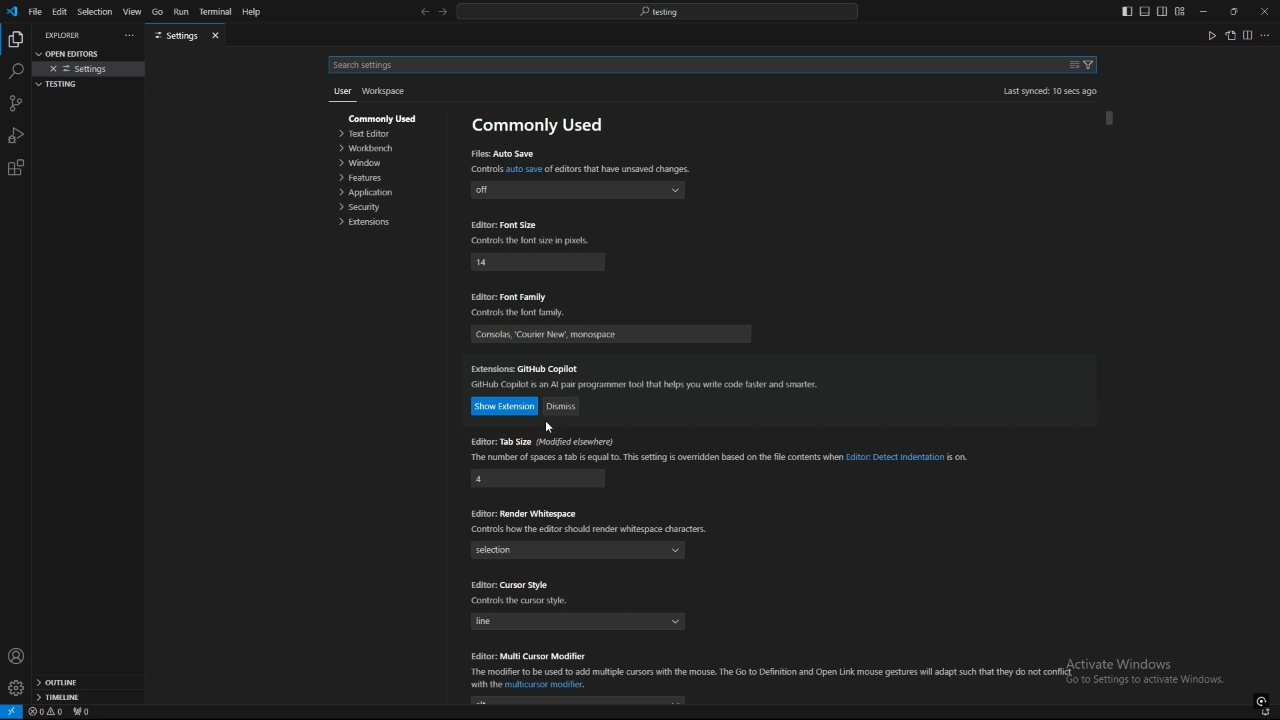  Describe the element at coordinates (1089, 64) in the screenshot. I see `filter settings` at that location.